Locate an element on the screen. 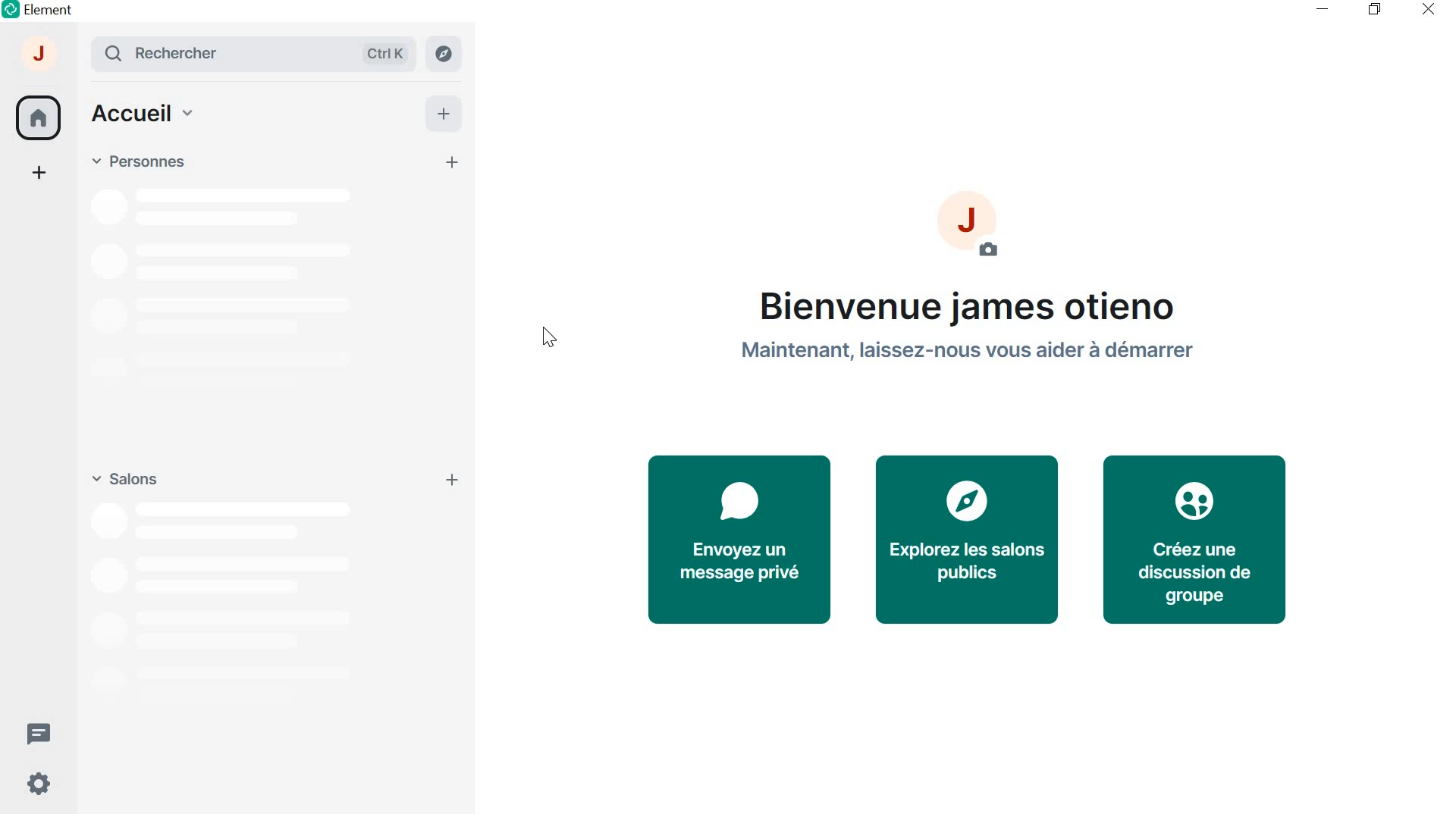 The image size is (1456, 814). salons is located at coordinates (123, 476).